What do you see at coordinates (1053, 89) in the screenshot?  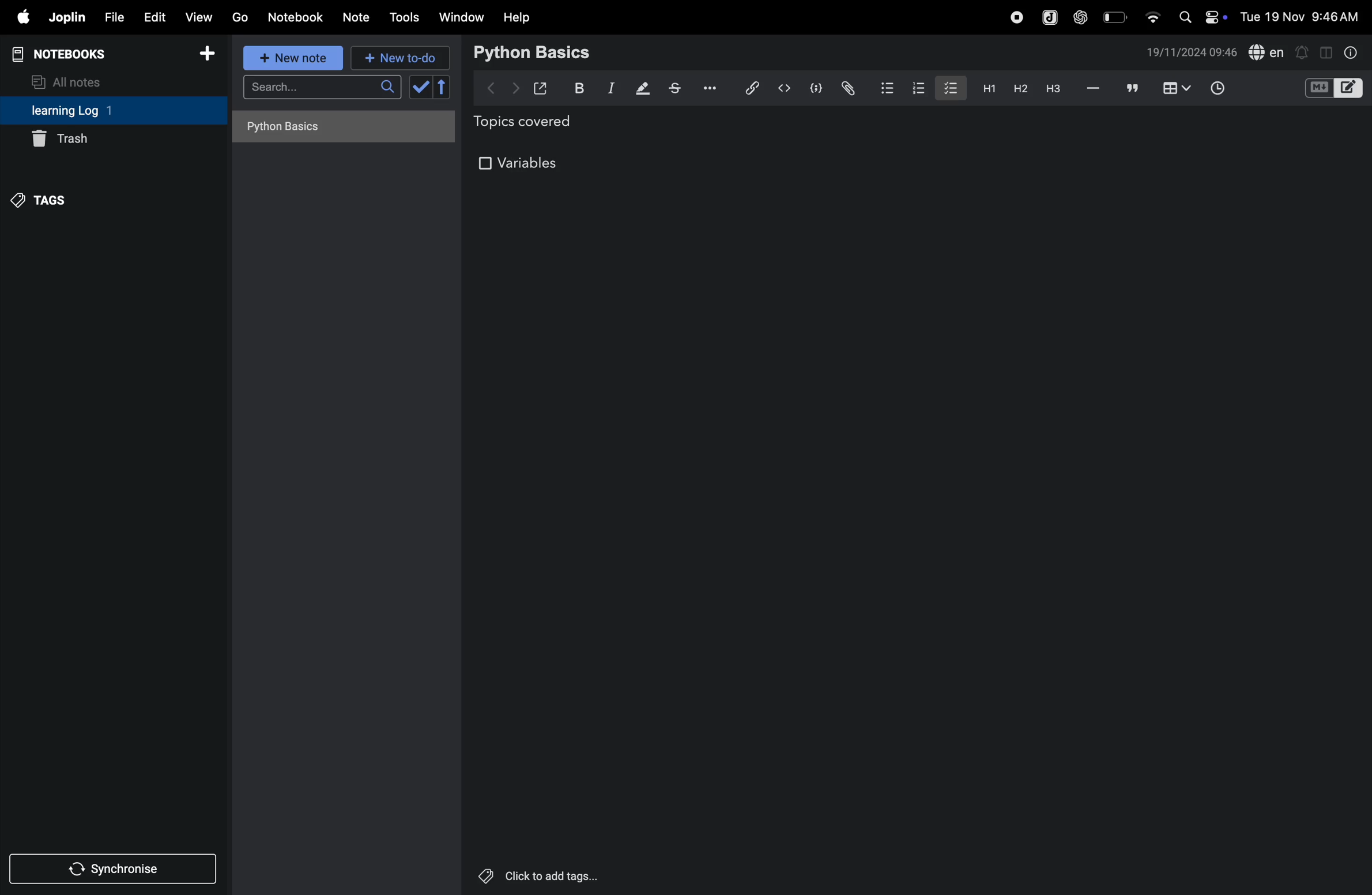 I see `heading 3` at bounding box center [1053, 89].